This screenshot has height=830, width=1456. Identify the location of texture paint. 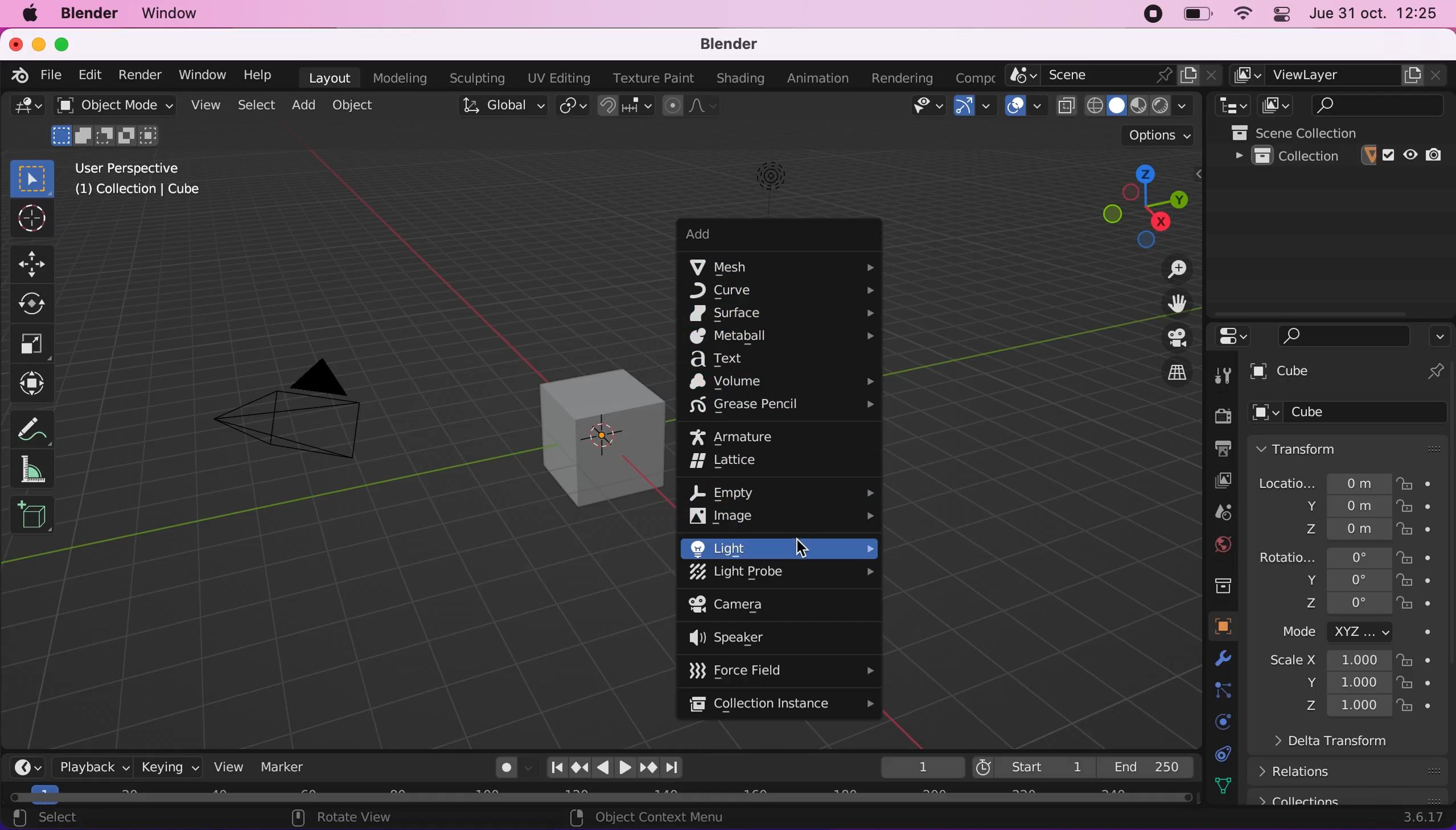
(649, 78).